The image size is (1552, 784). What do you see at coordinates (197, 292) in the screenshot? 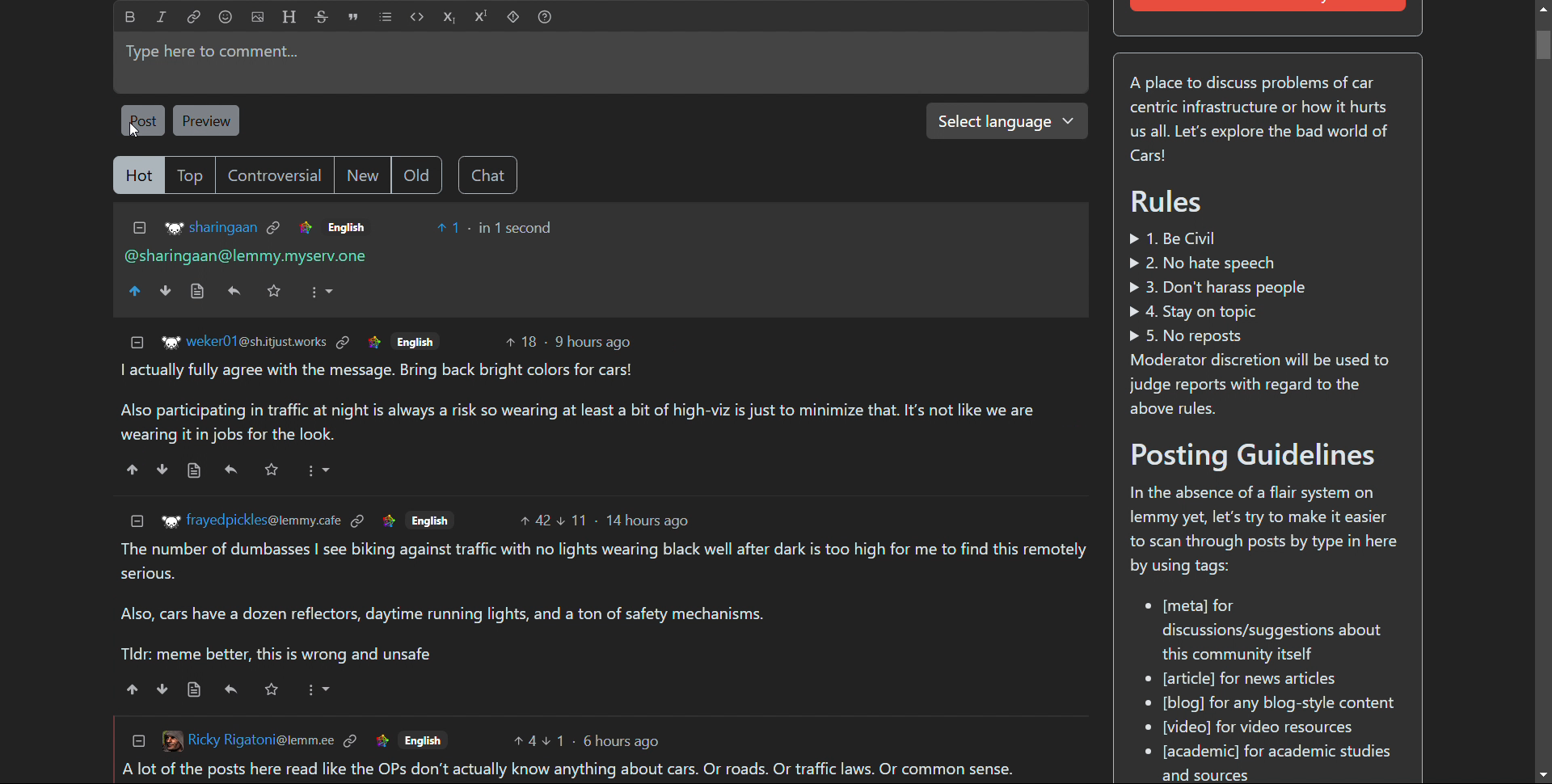
I see `Source` at bounding box center [197, 292].